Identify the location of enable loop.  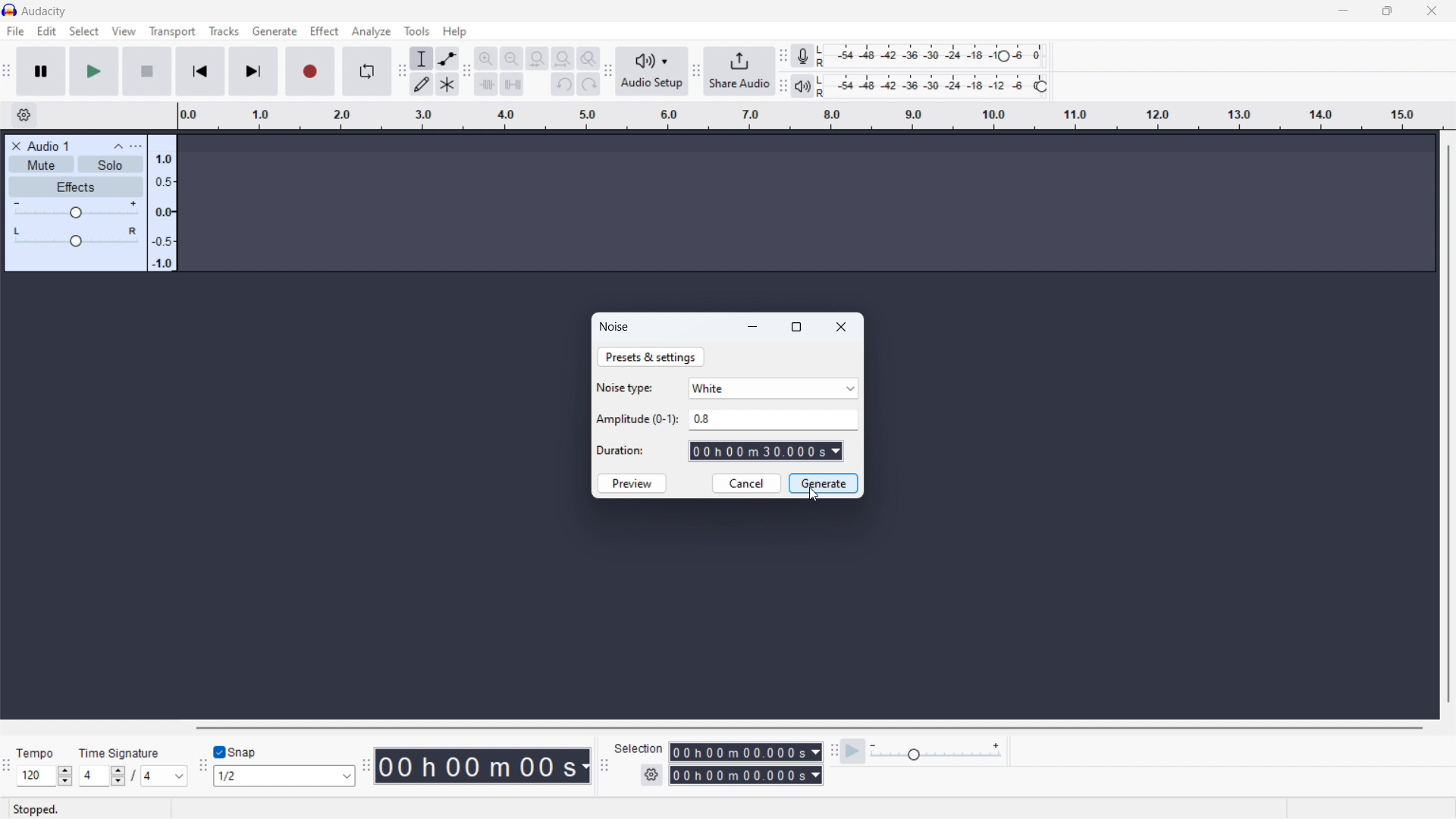
(367, 72).